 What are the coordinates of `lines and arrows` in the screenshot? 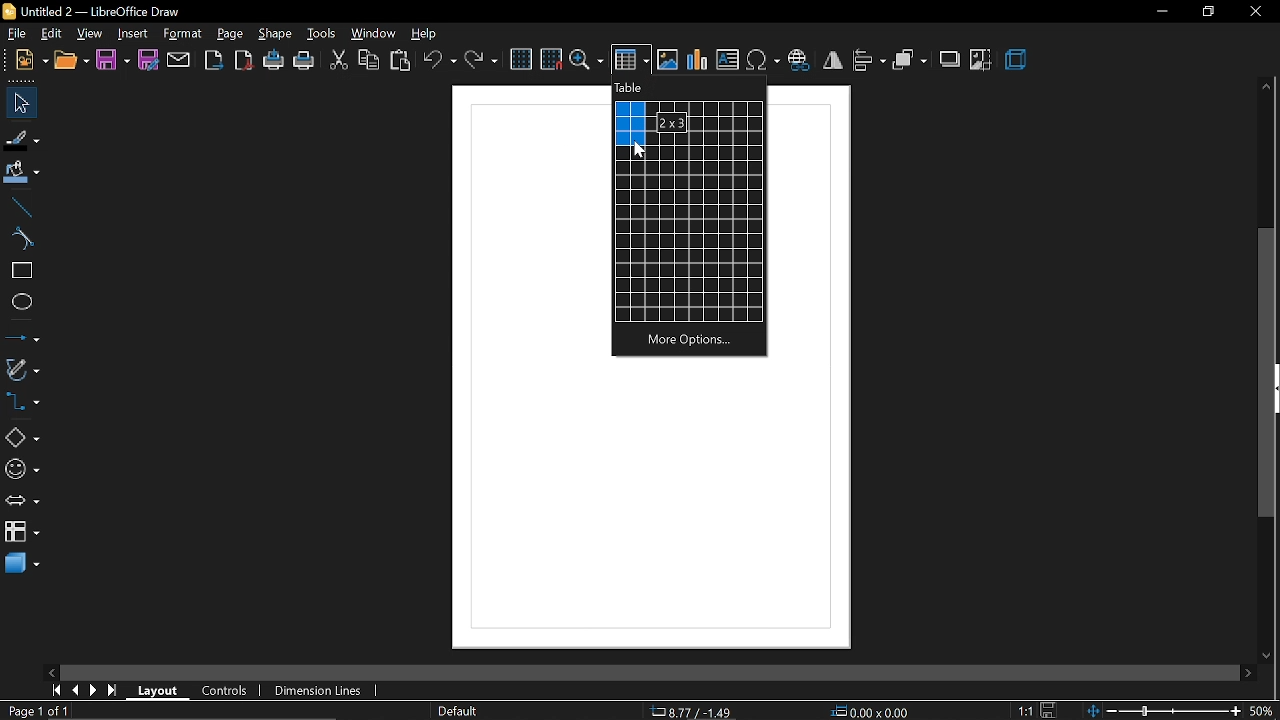 It's located at (24, 340).